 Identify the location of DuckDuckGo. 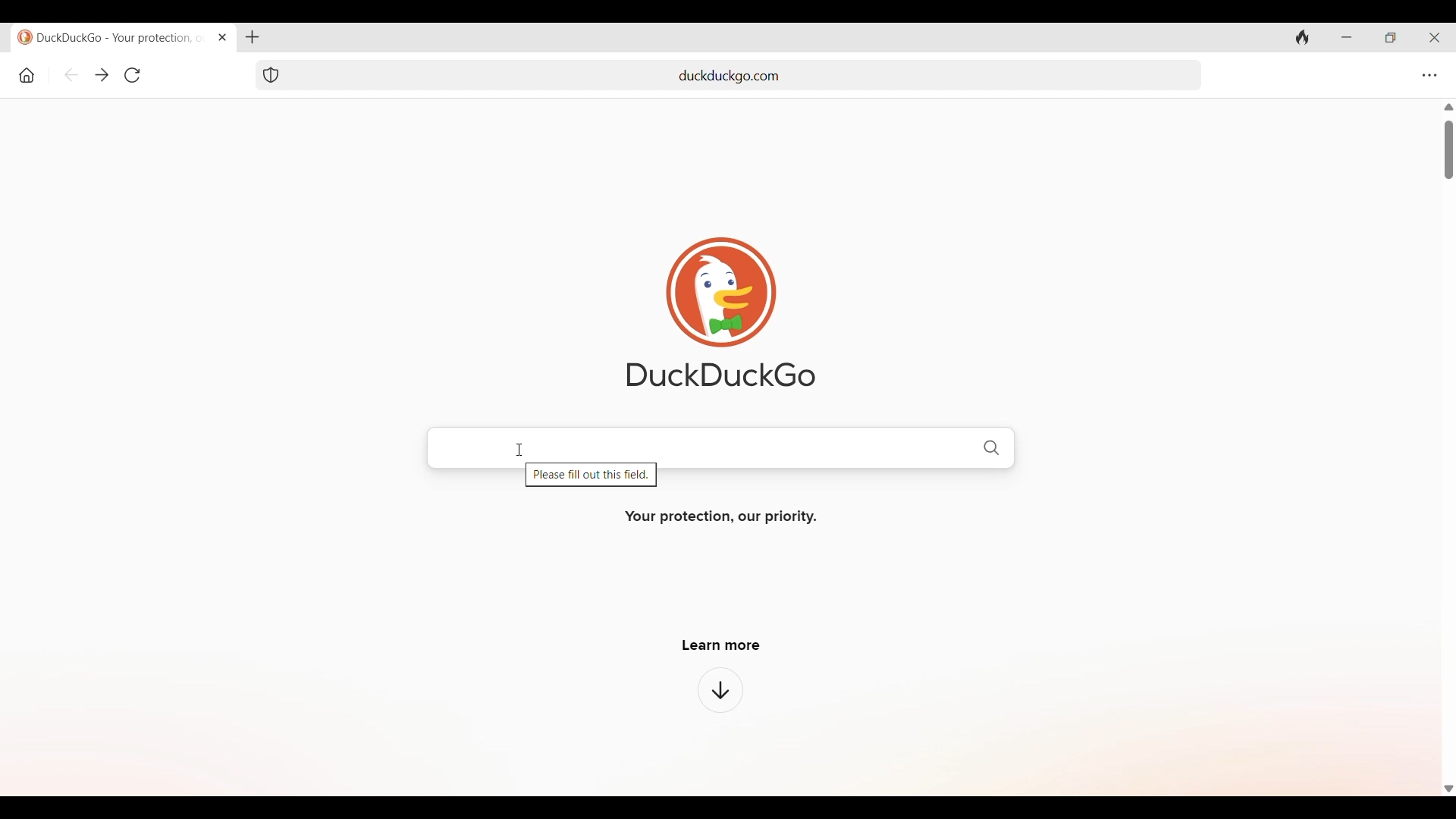
(720, 375).